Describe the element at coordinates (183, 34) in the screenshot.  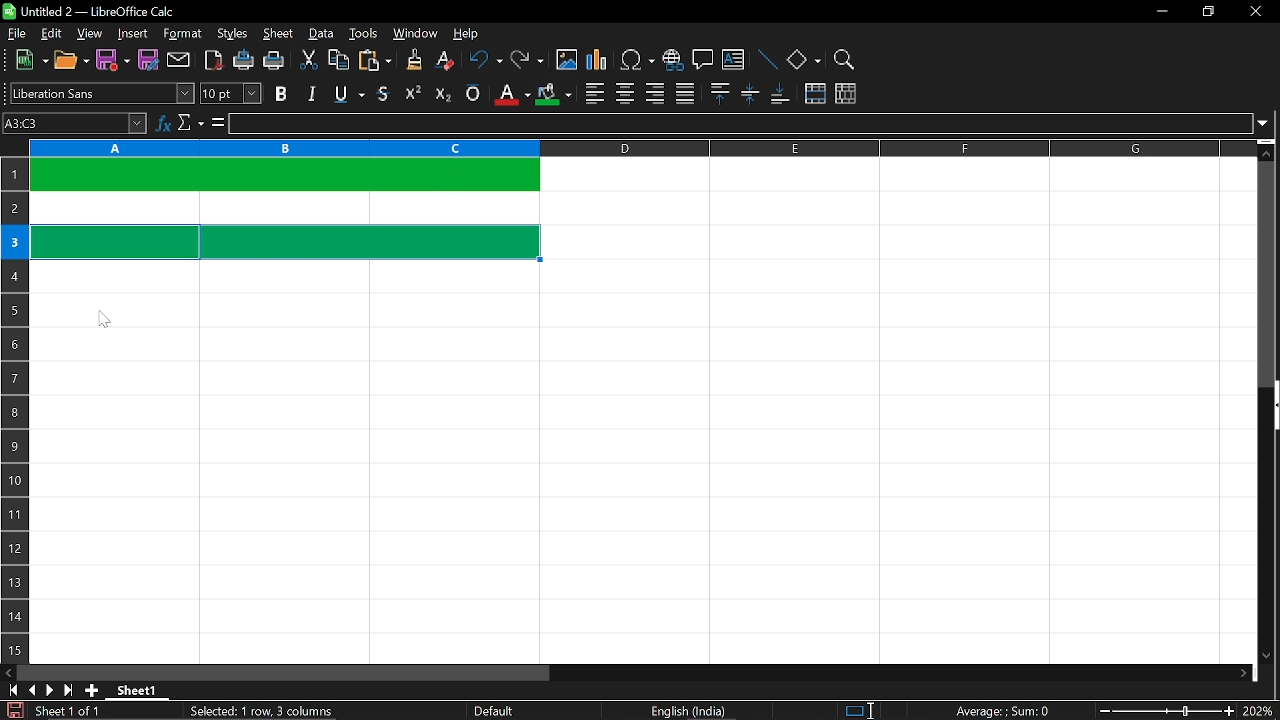
I see `format` at that location.